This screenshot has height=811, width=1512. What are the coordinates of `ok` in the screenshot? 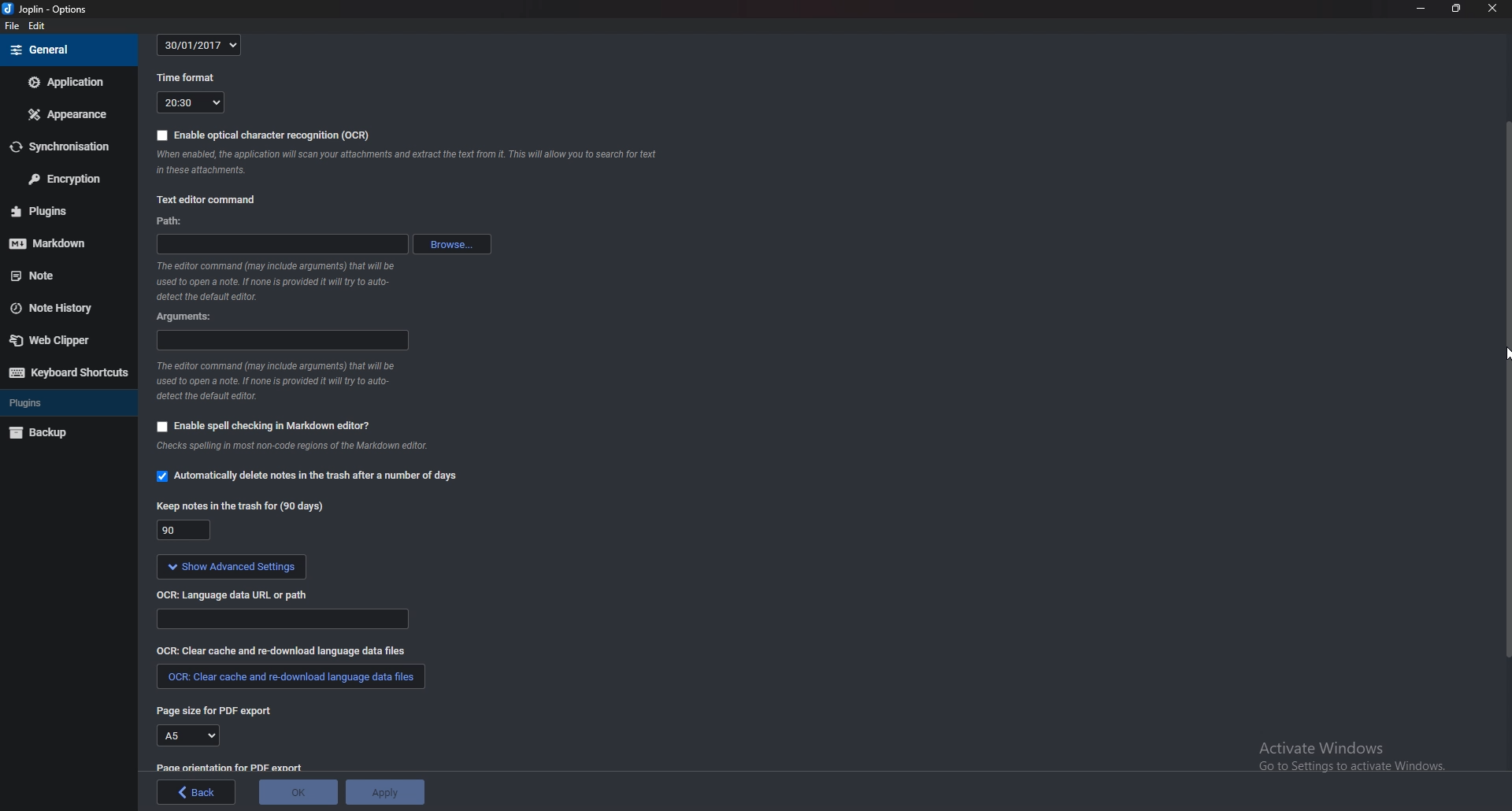 It's located at (299, 791).